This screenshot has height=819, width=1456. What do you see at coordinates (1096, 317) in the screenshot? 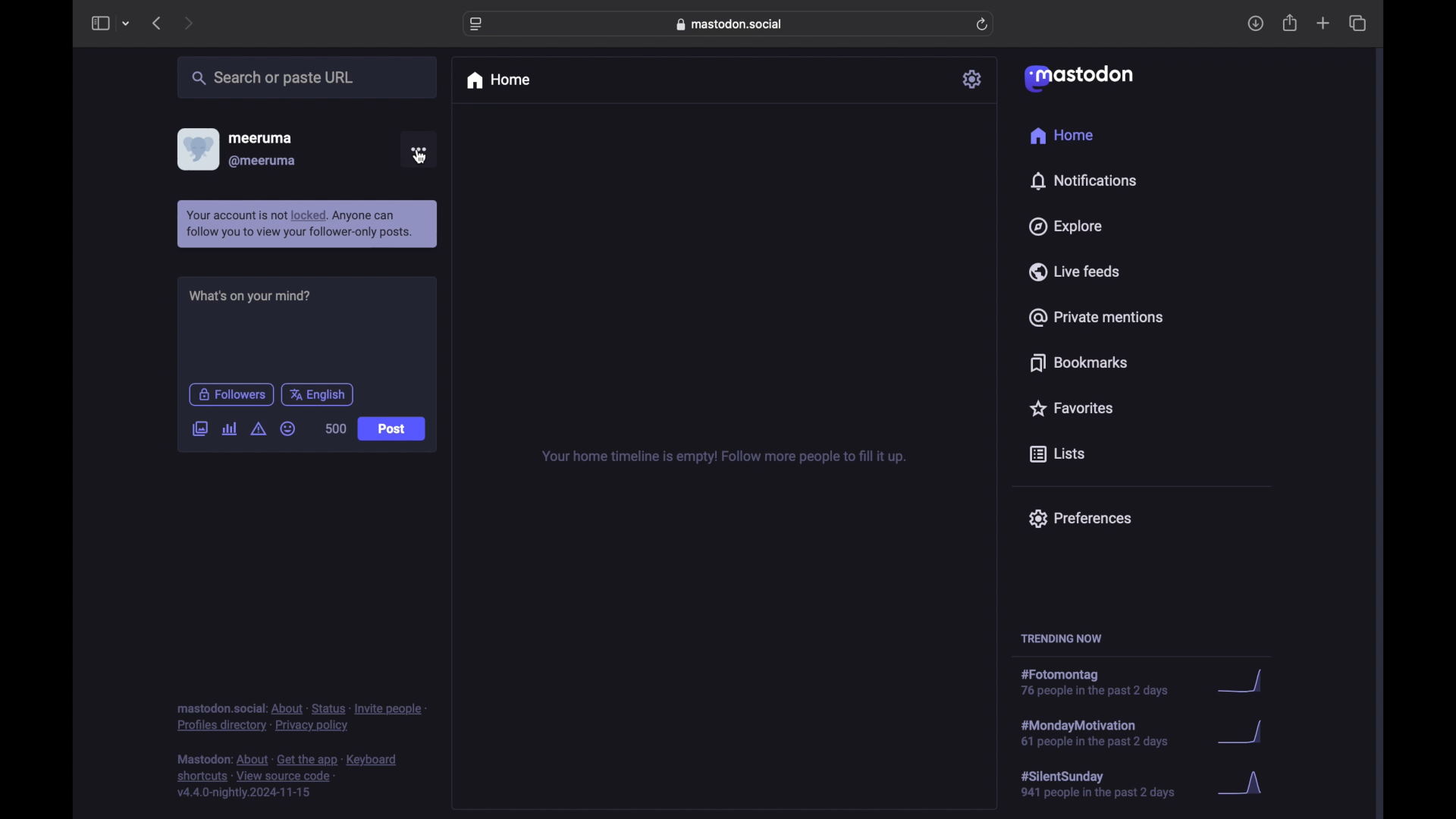
I see `private mentions` at bounding box center [1096, 317].